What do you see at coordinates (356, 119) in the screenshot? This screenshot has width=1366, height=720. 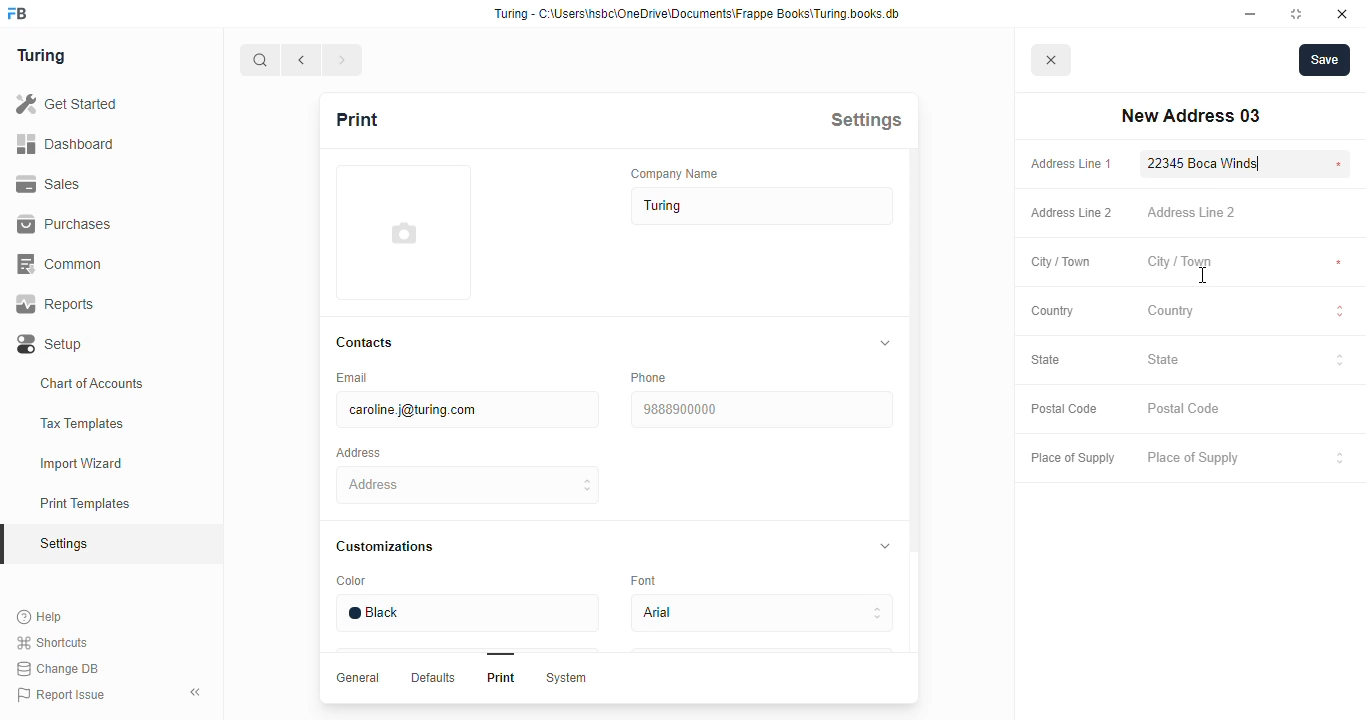 I see `print` at bounding box center [356, 119].